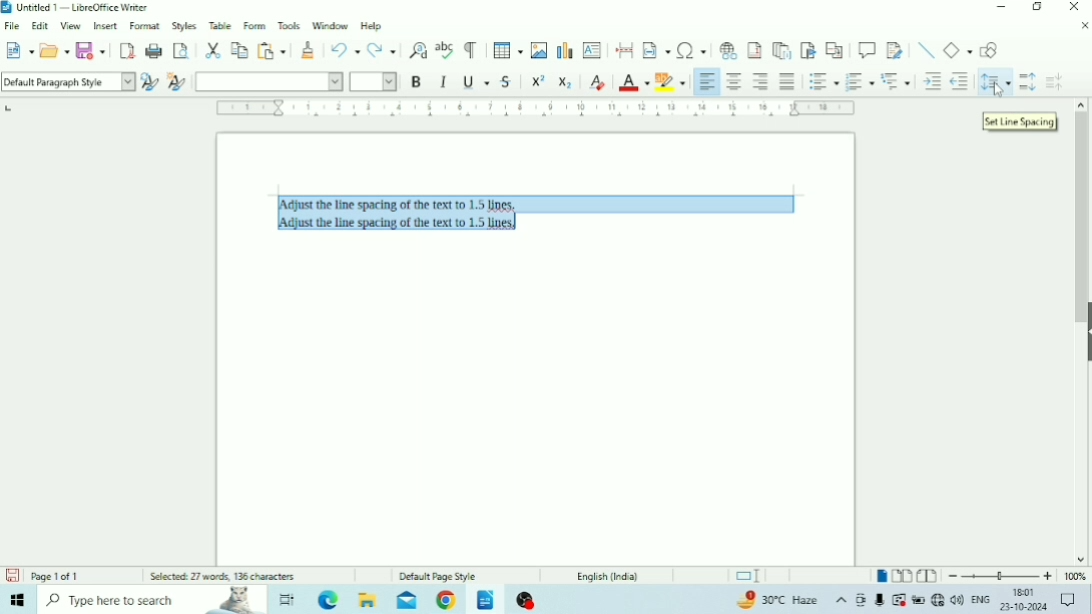  I want to click on Insert PageBreak, so click(625, 49).